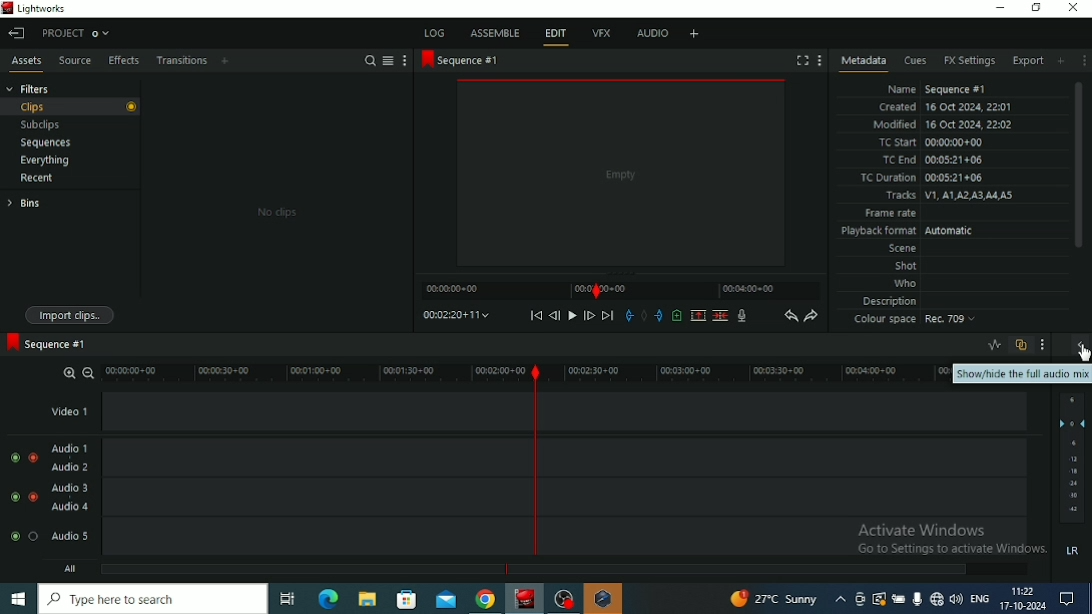 Image resolution: width=1092 pixels, height=614 pixels. Describe the element at coordinates (1022, 374) in the screenshot. I see `Show/hide the full audio mix` at that location.